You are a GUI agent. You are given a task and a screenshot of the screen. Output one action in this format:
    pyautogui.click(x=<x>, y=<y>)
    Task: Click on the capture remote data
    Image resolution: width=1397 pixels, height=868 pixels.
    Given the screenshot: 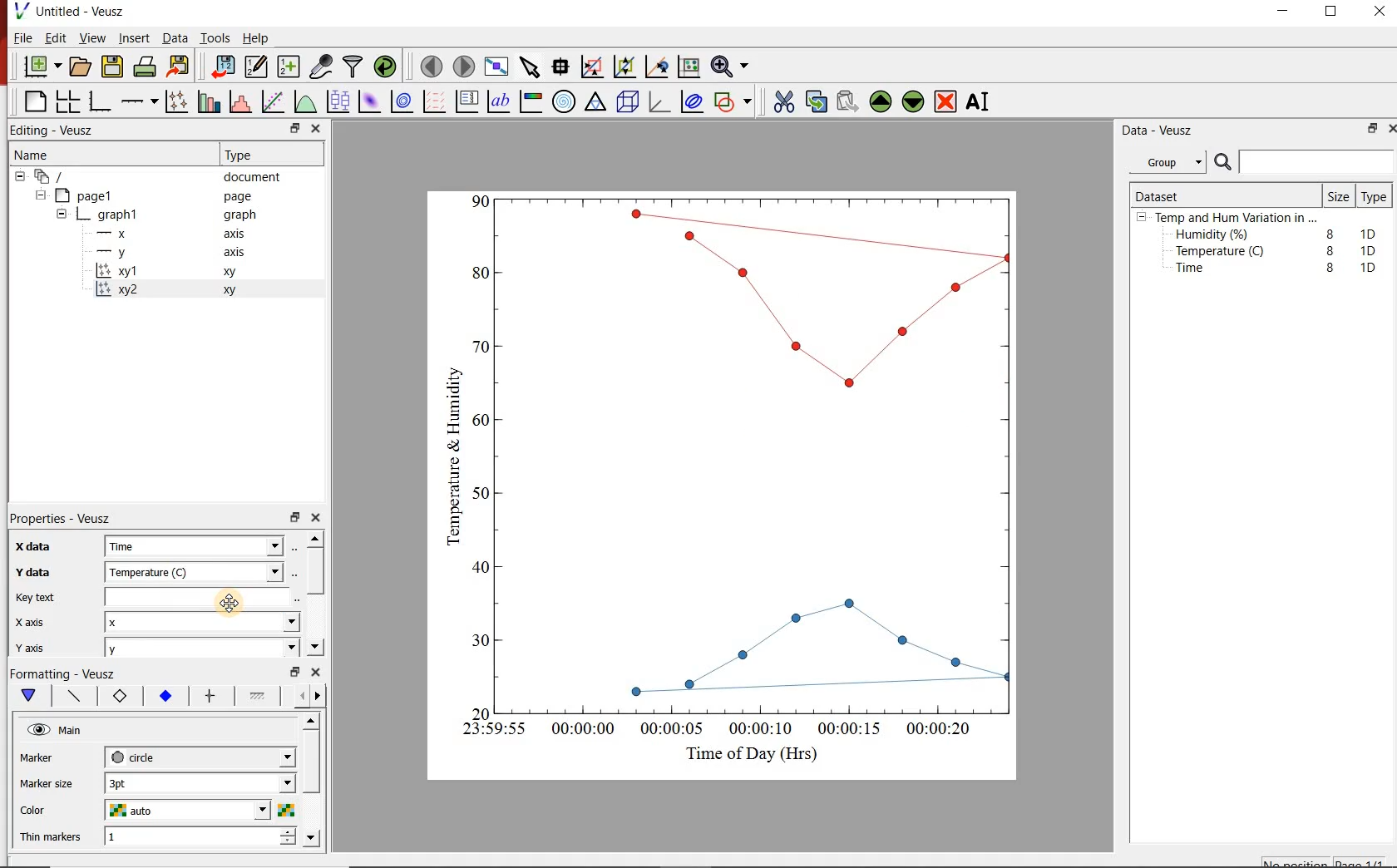 What is the action you would take?
    pyautogui.click(x=320, y=65)
    